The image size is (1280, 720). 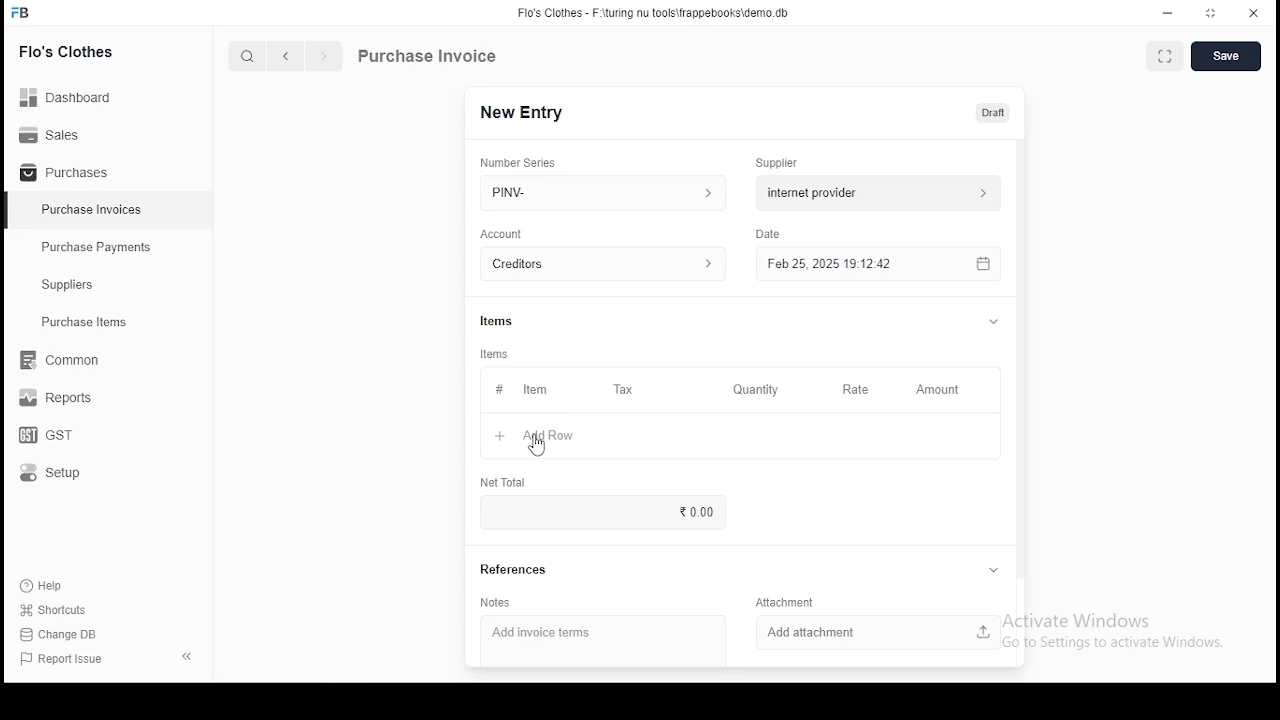 What do you see at coordinates (693, 511) in the screenshot?
I see `0.00` at bounding box center [693, 511].